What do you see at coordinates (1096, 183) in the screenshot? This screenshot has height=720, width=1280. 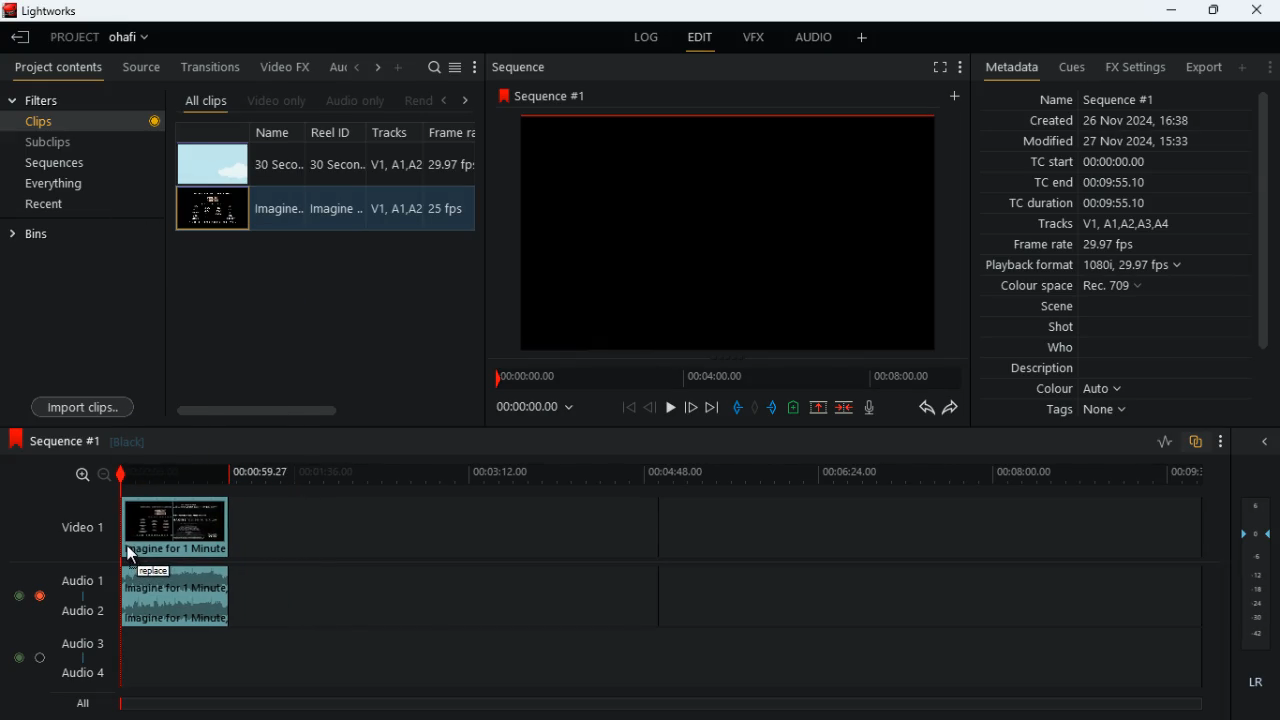 I see `tc end` at bounding box center [1096, 183].